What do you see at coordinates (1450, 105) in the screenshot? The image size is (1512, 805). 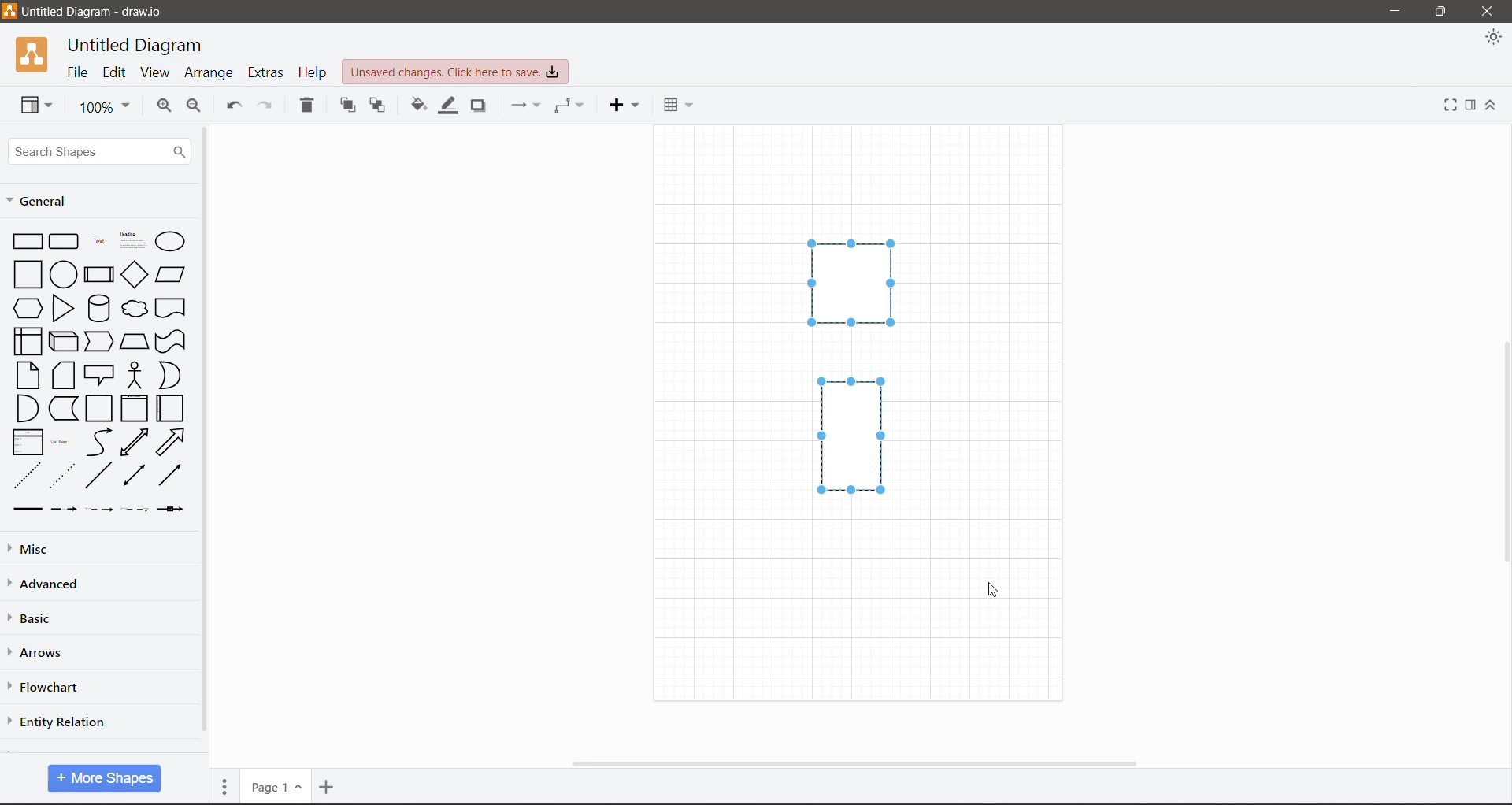 I see `Fullscreen` at bounding box center [1450, 105].